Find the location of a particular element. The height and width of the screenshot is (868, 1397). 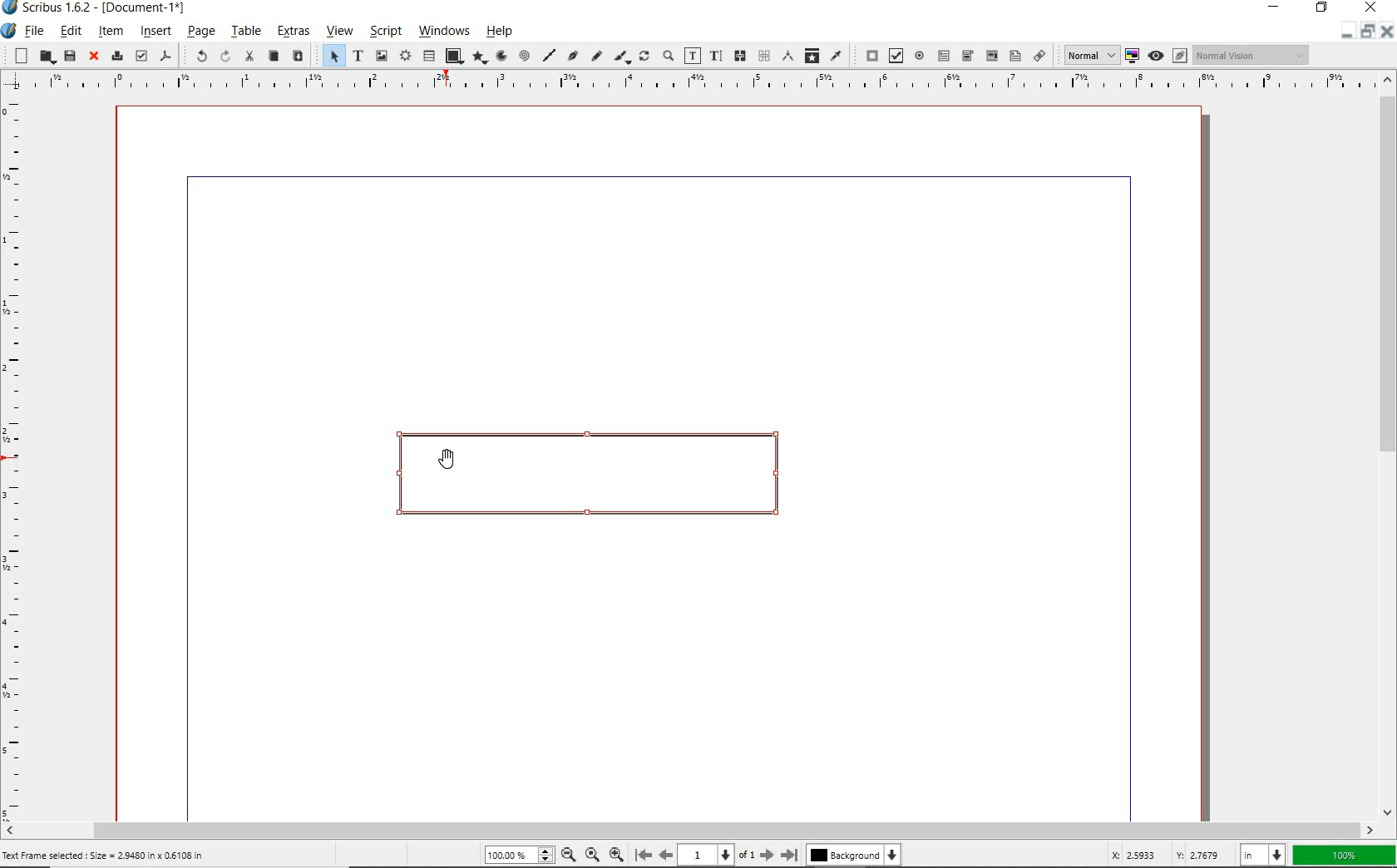

Text Frame selected : Size = 2.9480 in x 0.6108 in is located at coordinates (106, 855).